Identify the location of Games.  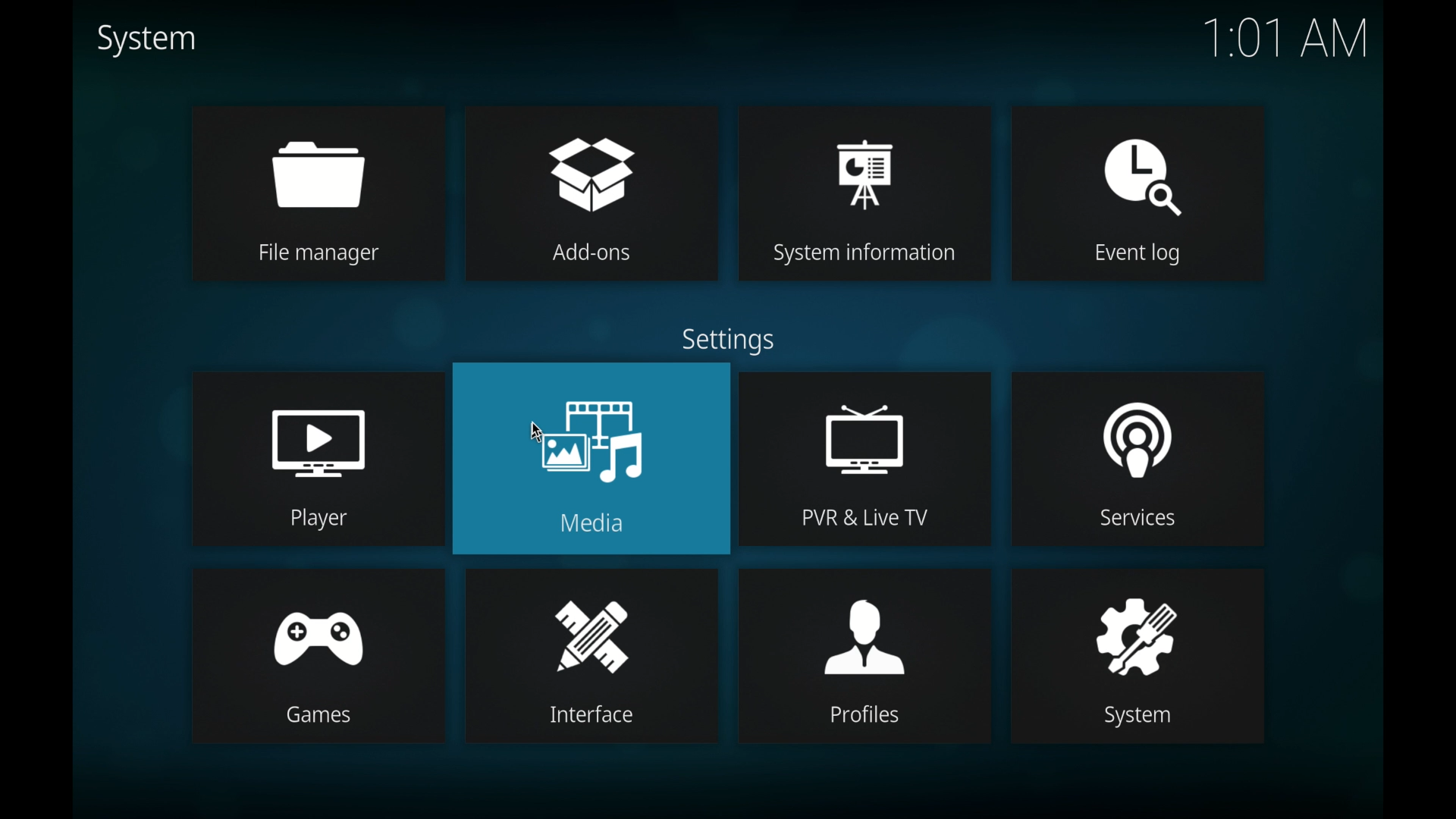
(322, 717).